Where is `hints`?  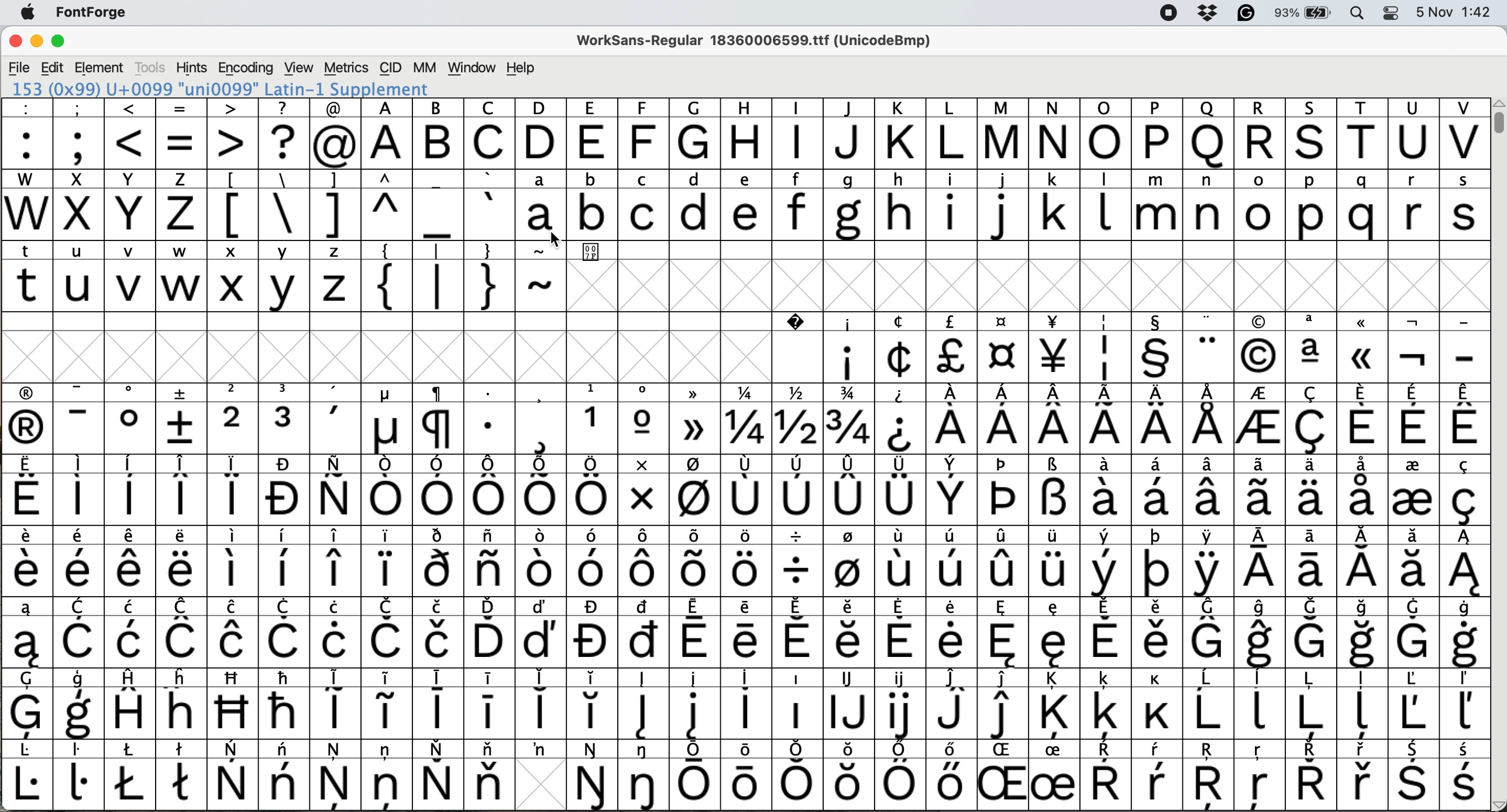
hints is located at coordinates (194, 67).